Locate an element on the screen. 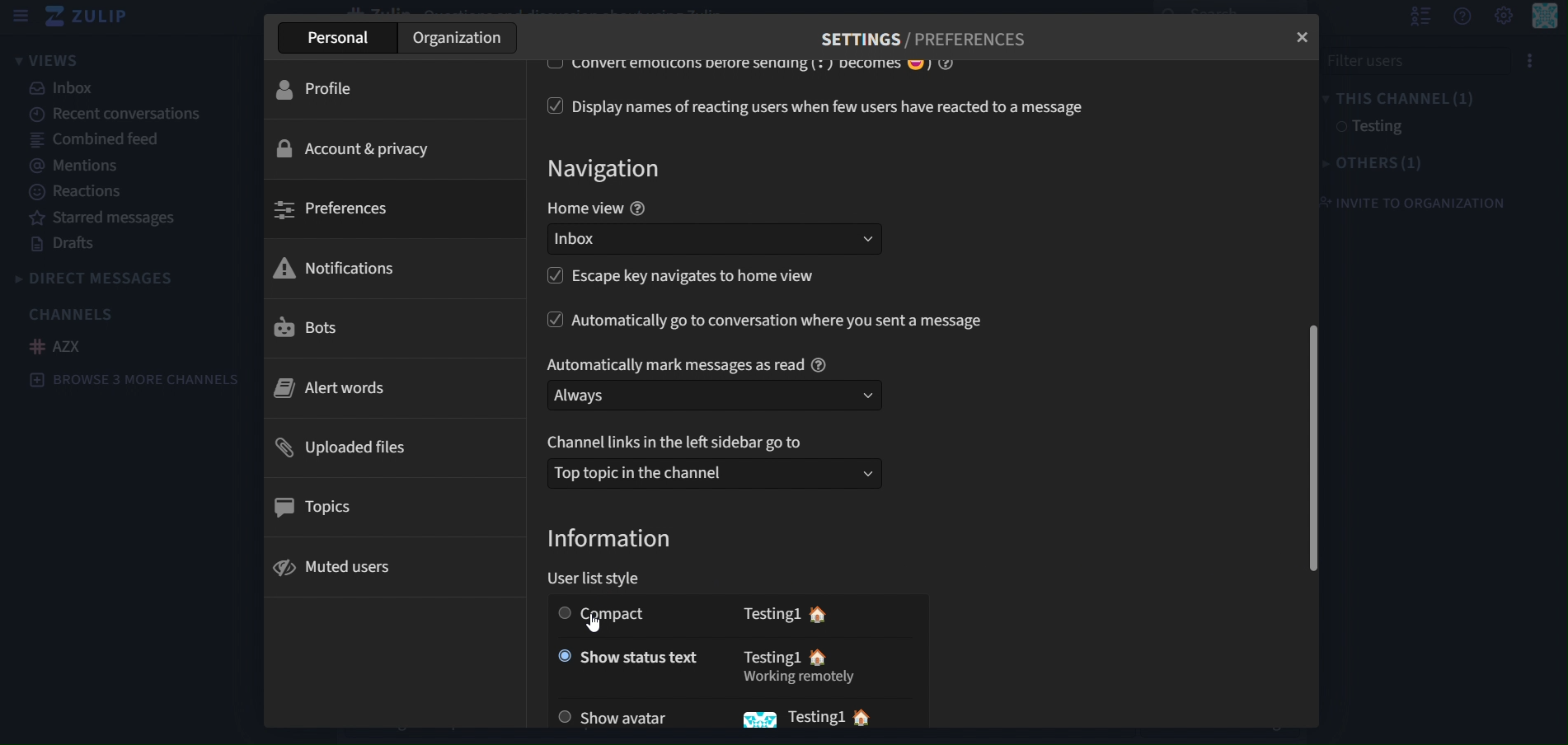 This screenshot has width=1568, height=745. Options is located at coordinates (1530, 61).